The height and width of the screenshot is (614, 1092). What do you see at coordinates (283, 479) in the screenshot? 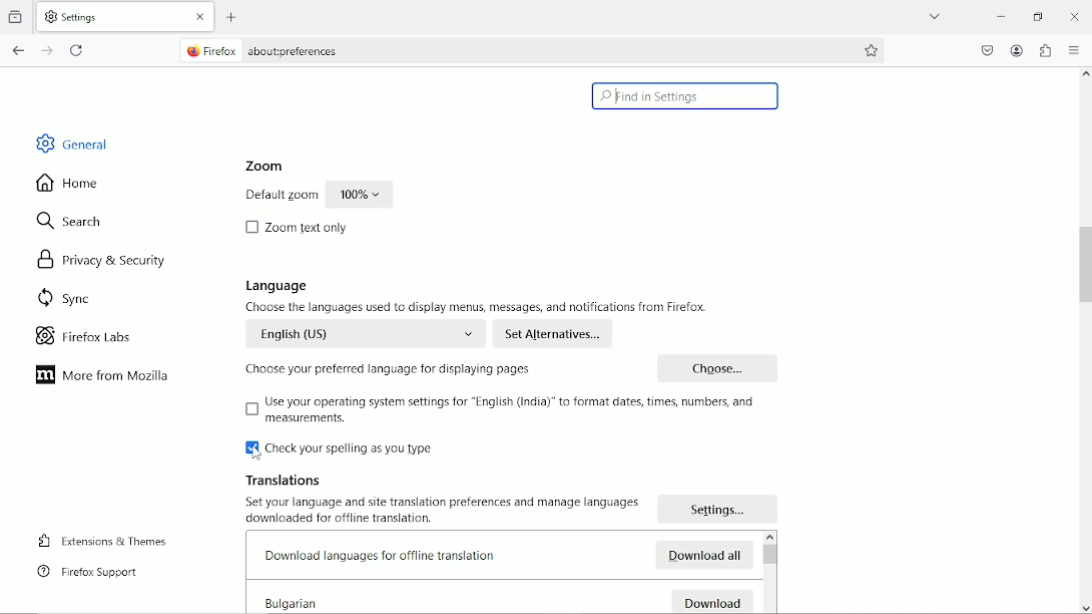
I see `Translations` at bounding box center [283, 479].